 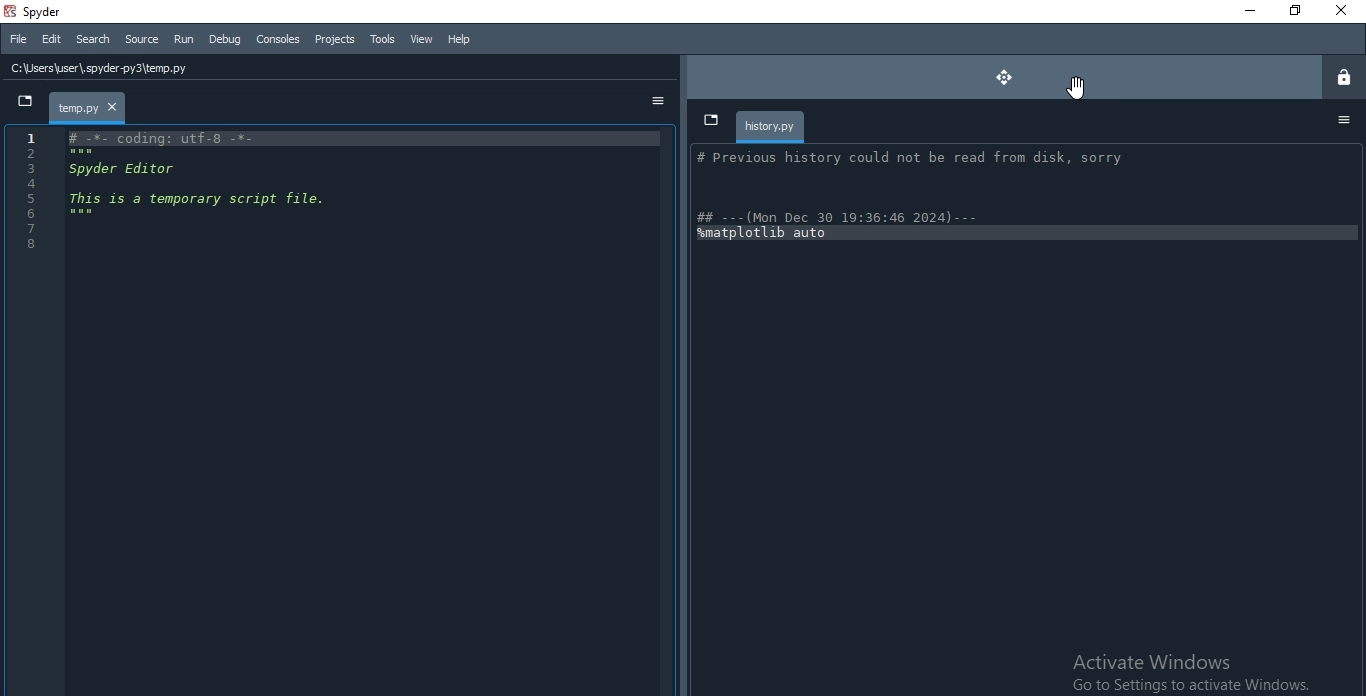 What do you see at coordinates (1295, 10) in the screenshot?
I see `Restore` at bounding box center [1295, 10].